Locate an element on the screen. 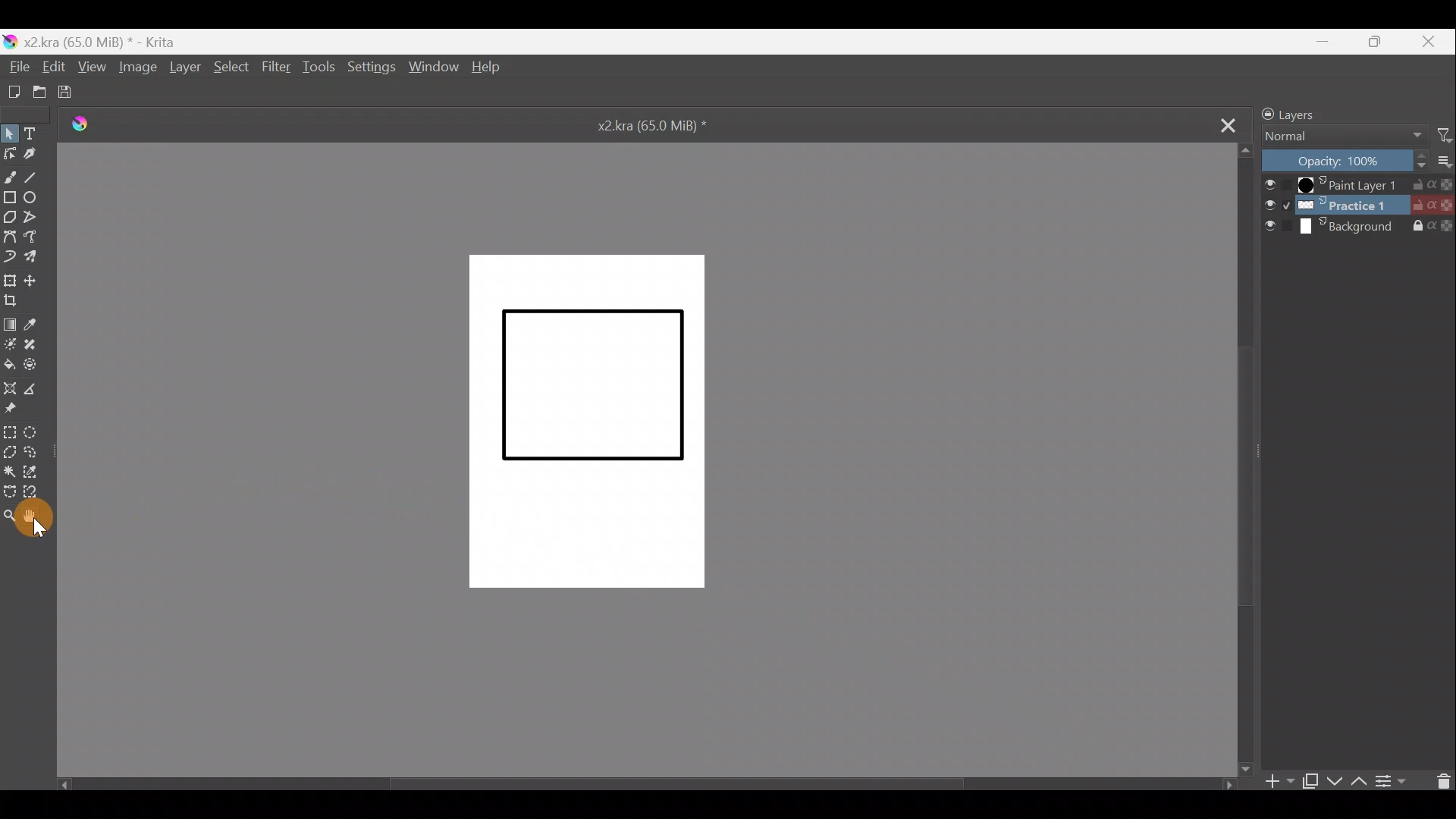  Close tab is located at coordinates (1218, 122).